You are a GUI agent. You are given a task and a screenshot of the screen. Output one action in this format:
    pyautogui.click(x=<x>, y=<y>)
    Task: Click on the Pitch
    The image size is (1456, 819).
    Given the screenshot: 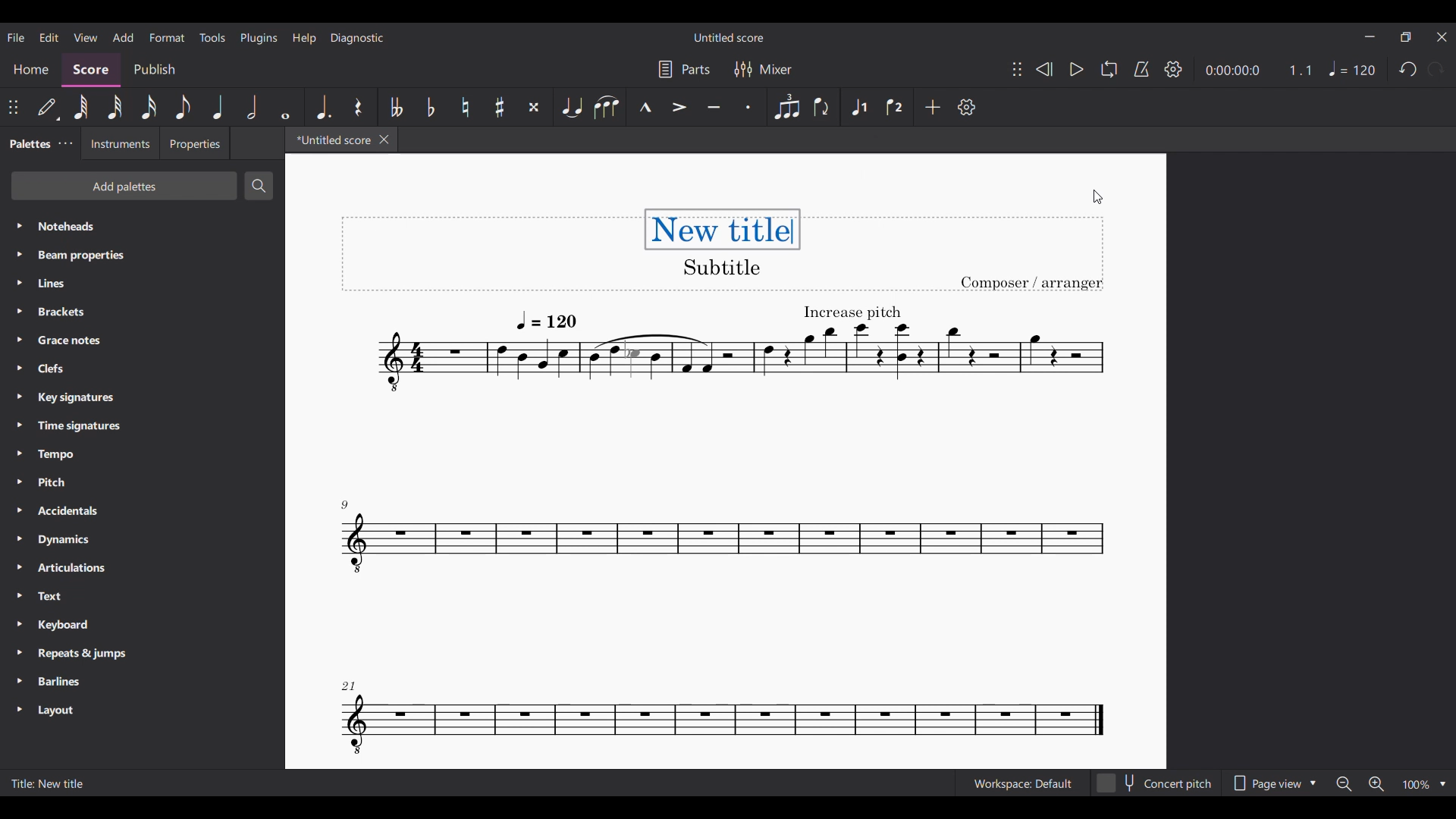 What is the action you would take?
    pyautogui.click(x=143, y=482)
    